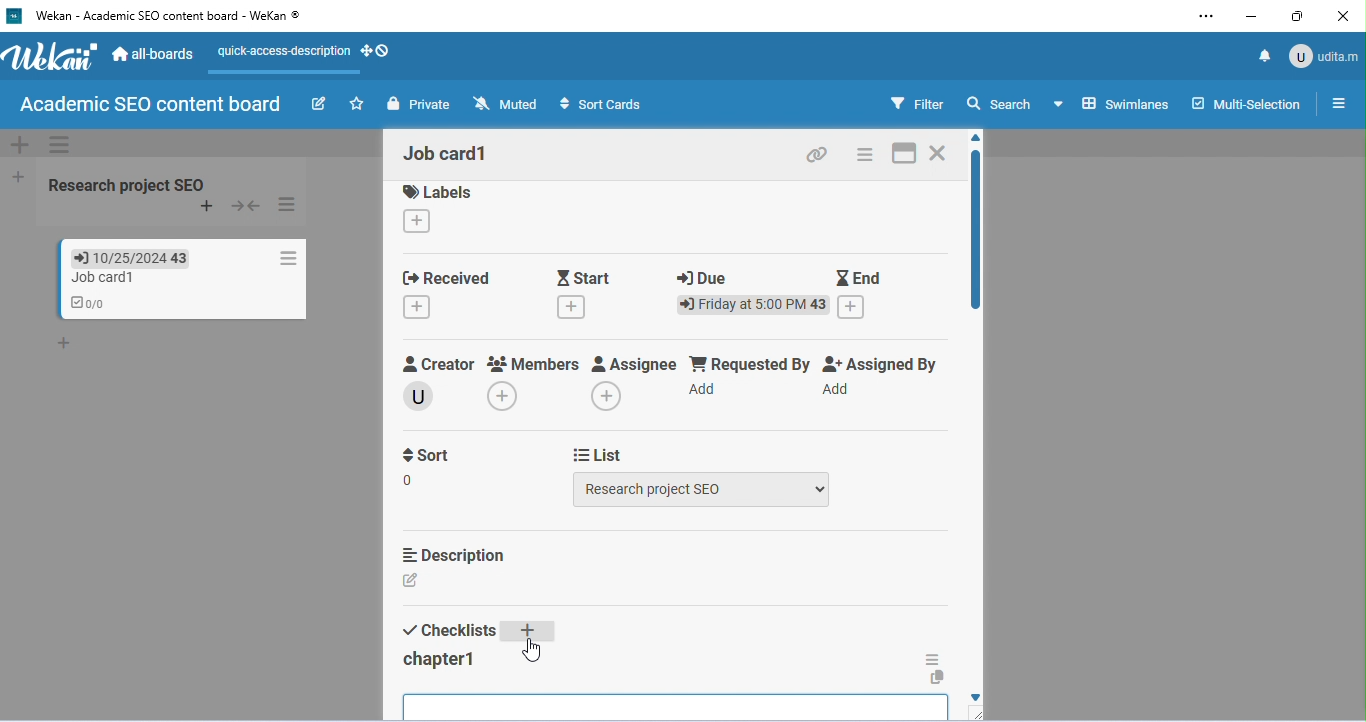 This screenshot has width=1366, height=722. Describe the element at coordinates (817, 156) in the screenshot. I see `copy card link` at that location.